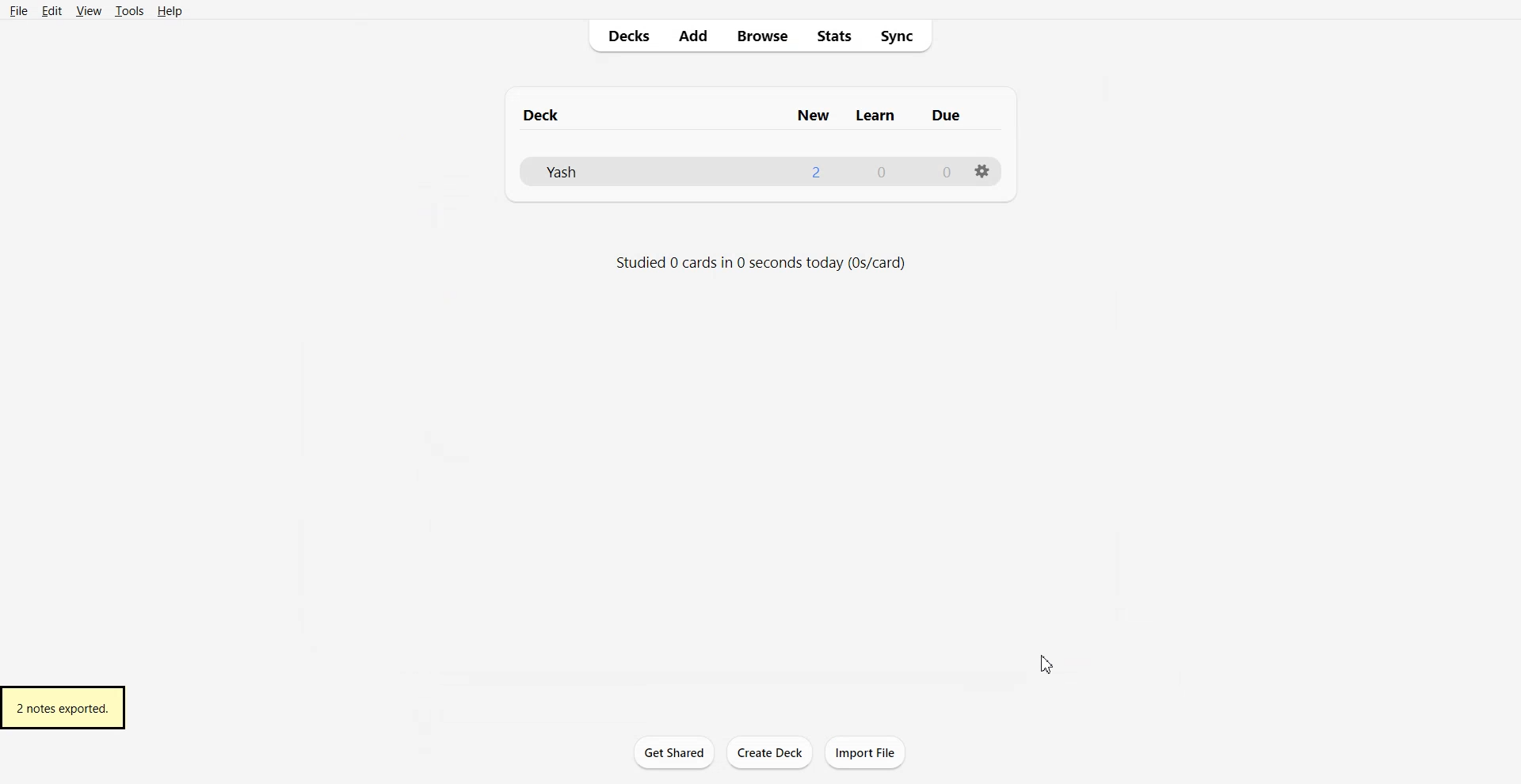 The width and height of the screenshot is (1521, 784). What do you see at coordinates (879, 114) in the screenshot?
I see `Learn` at bounding box center [879, 114].